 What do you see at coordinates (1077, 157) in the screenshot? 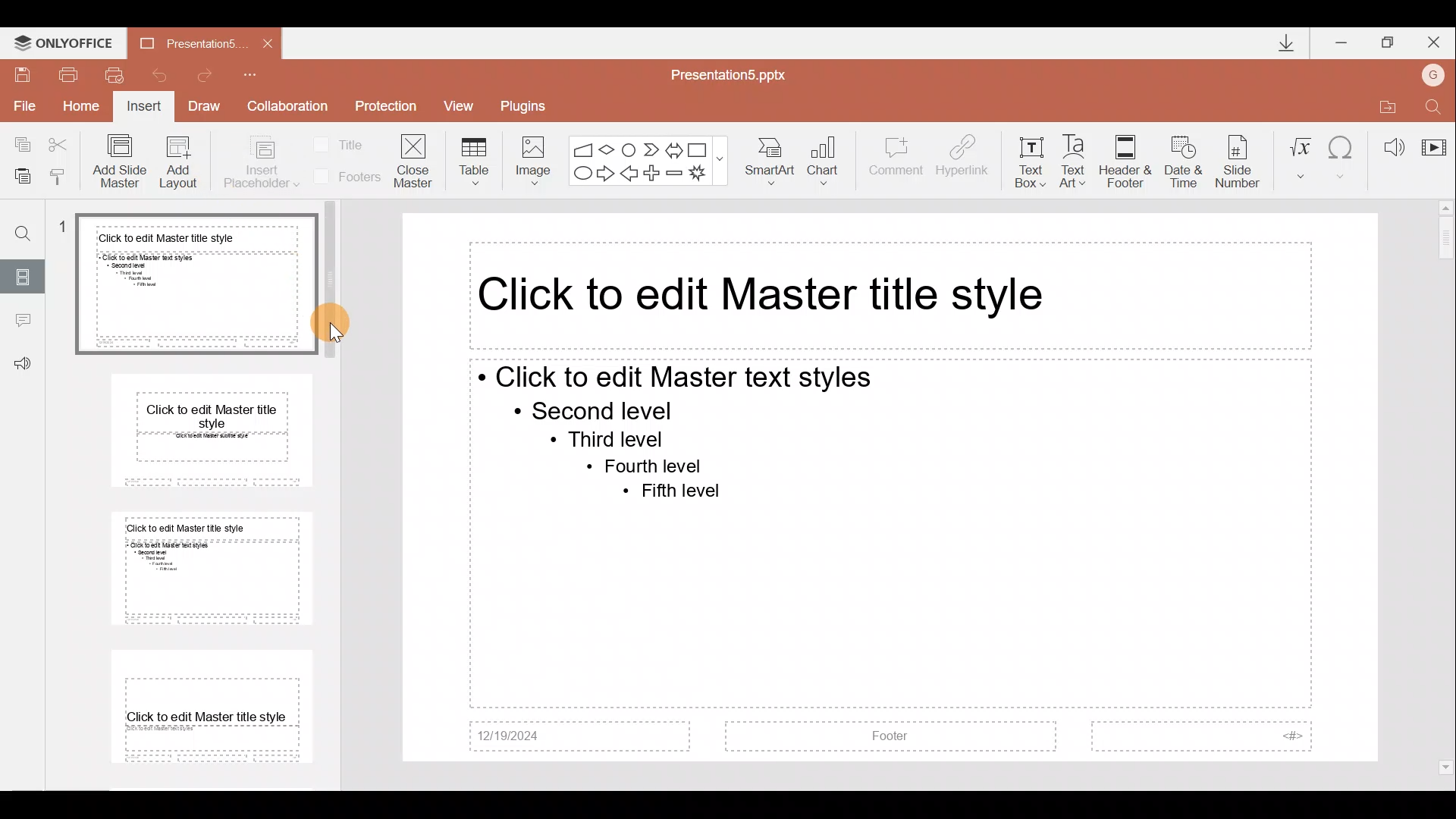
I see `Text Art` at bounding box center [1077, 157].